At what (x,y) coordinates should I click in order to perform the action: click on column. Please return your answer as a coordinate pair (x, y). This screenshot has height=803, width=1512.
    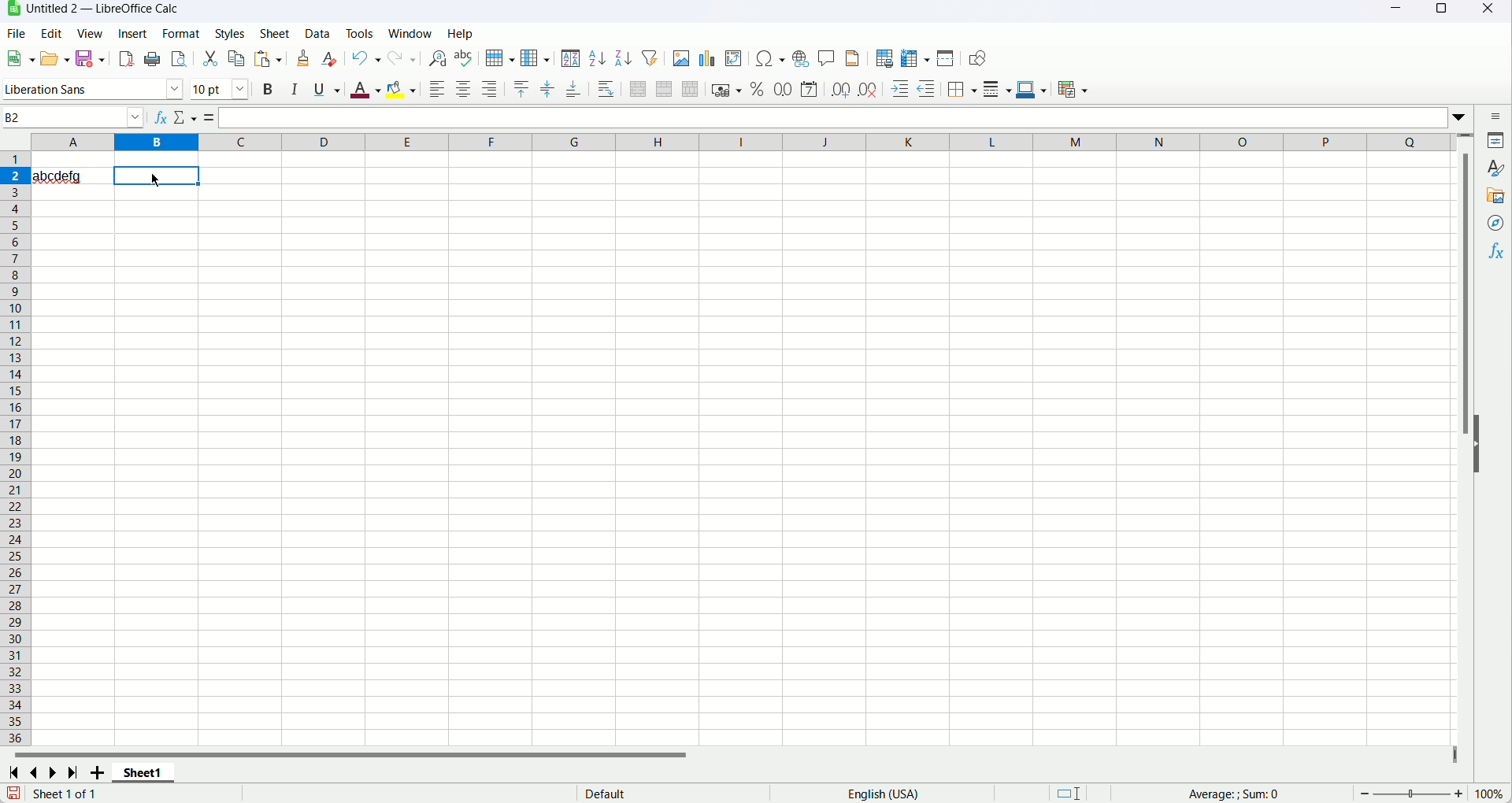
    Looking at the image, I should click on (537, 58).